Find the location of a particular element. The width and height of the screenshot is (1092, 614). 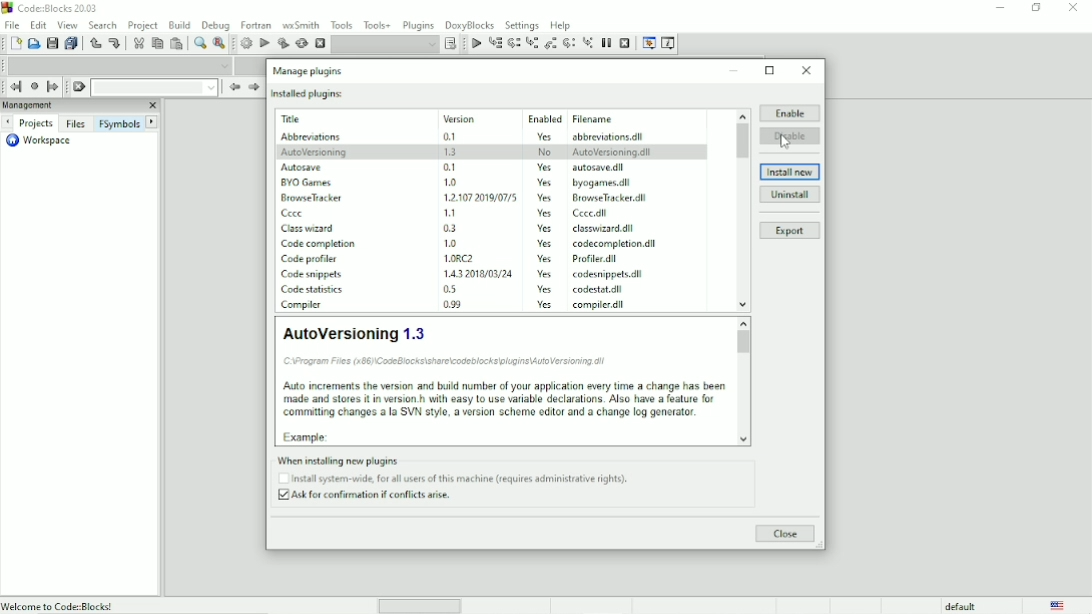

Code snippets is located at coordinates (313, 275).